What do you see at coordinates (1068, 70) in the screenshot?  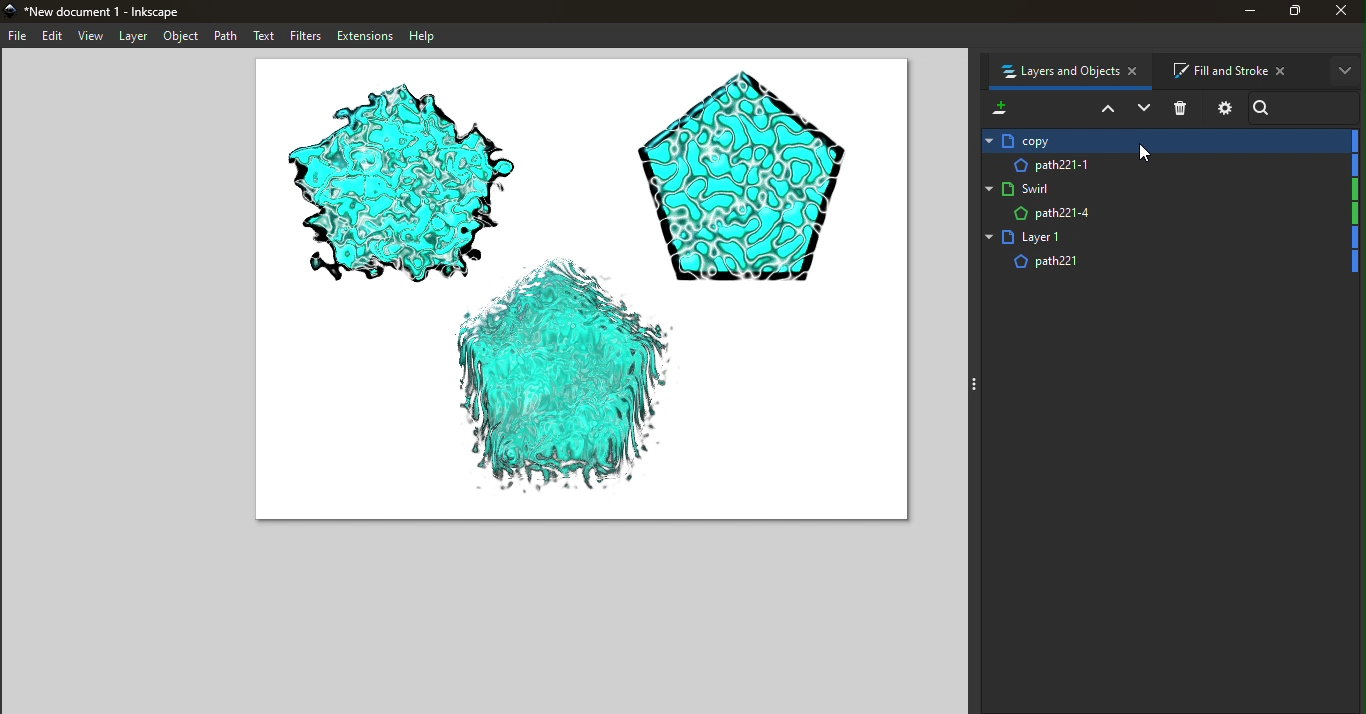 I see `Layers and objects` at bounding box center [1068, 70].